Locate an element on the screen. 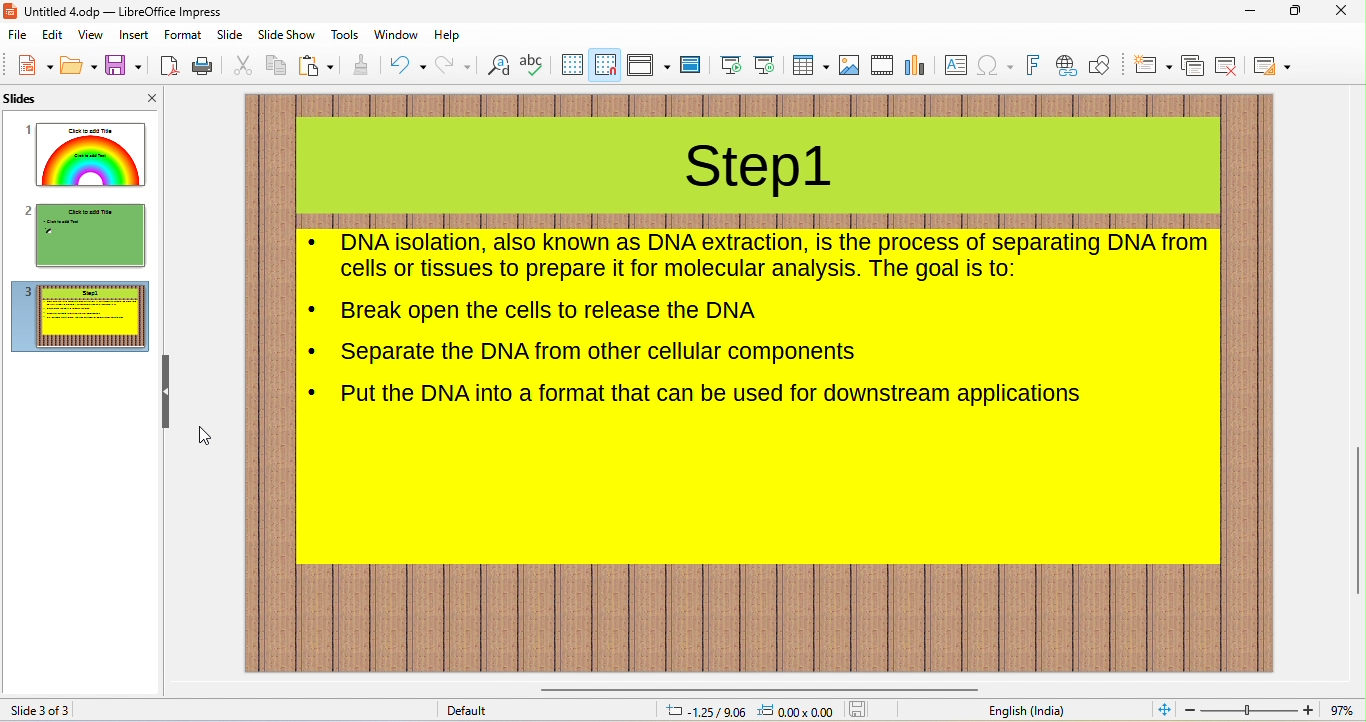 This screenshot has width=1366, height=722. content is located at coordinates (775, 256).